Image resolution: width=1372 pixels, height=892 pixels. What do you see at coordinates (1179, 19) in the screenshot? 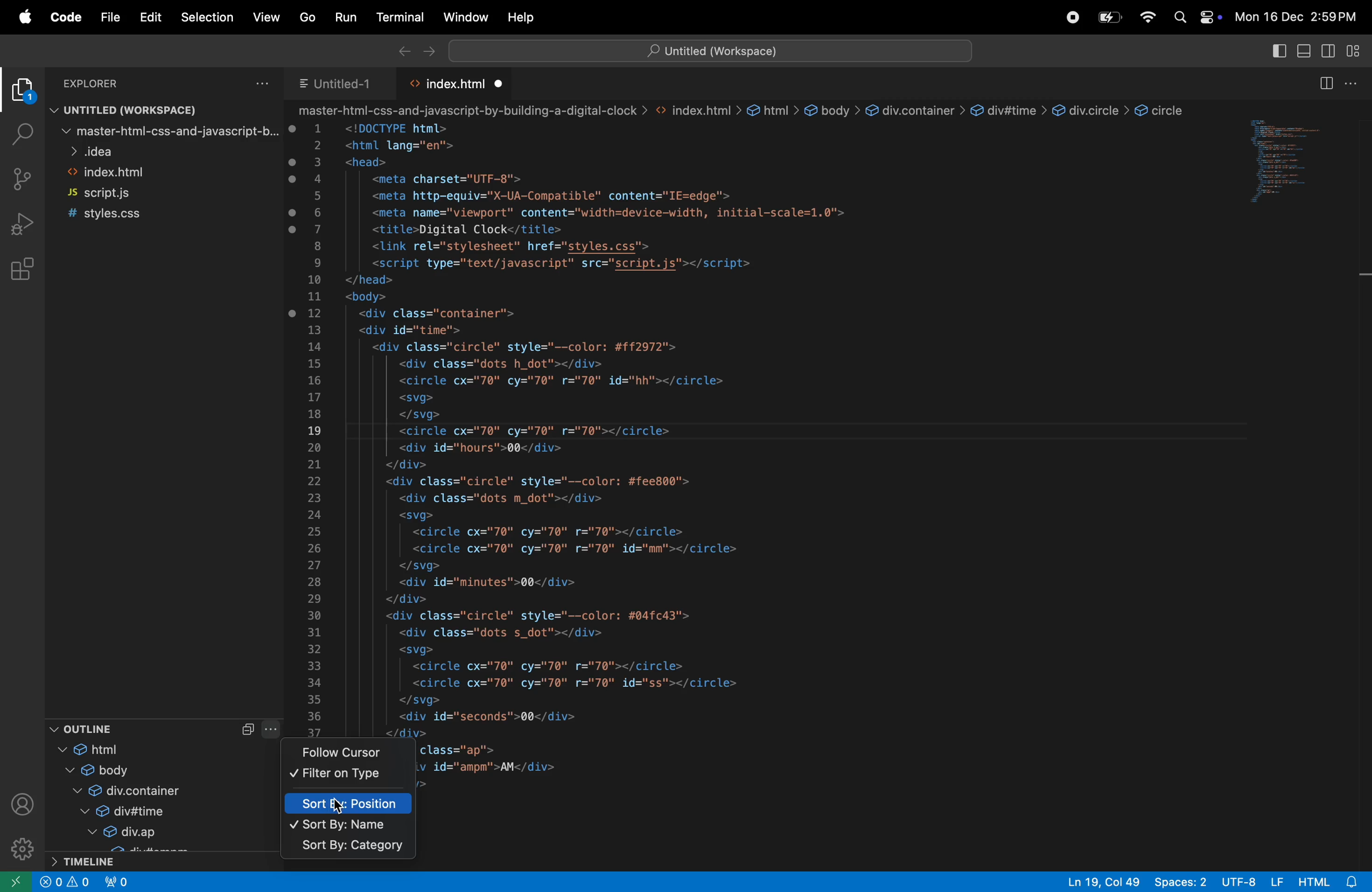
I see `search` at bounding box center [1179, 19].